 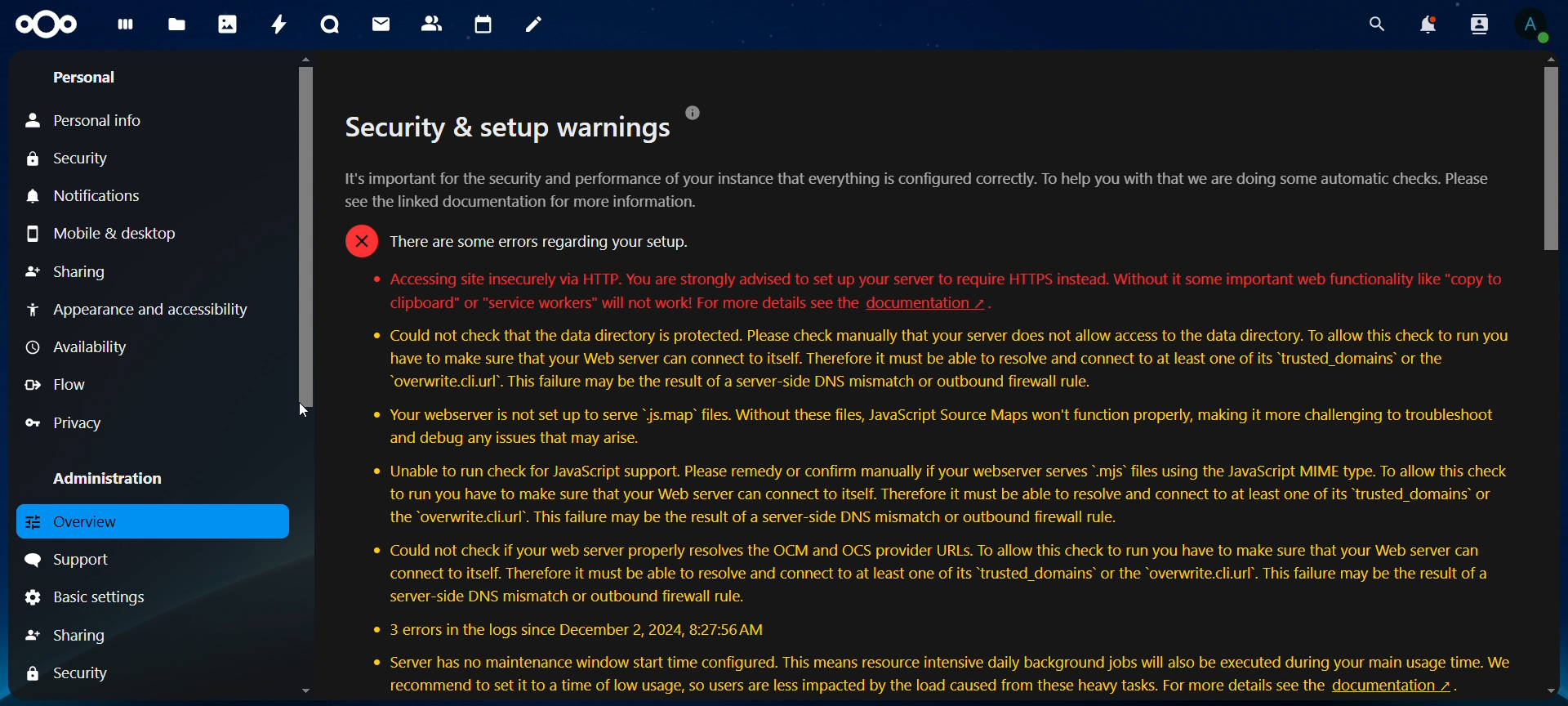 What do you see at coordinates (89, 197) in the screenshot?
I see `notifications` at bounding box center [89, 197].